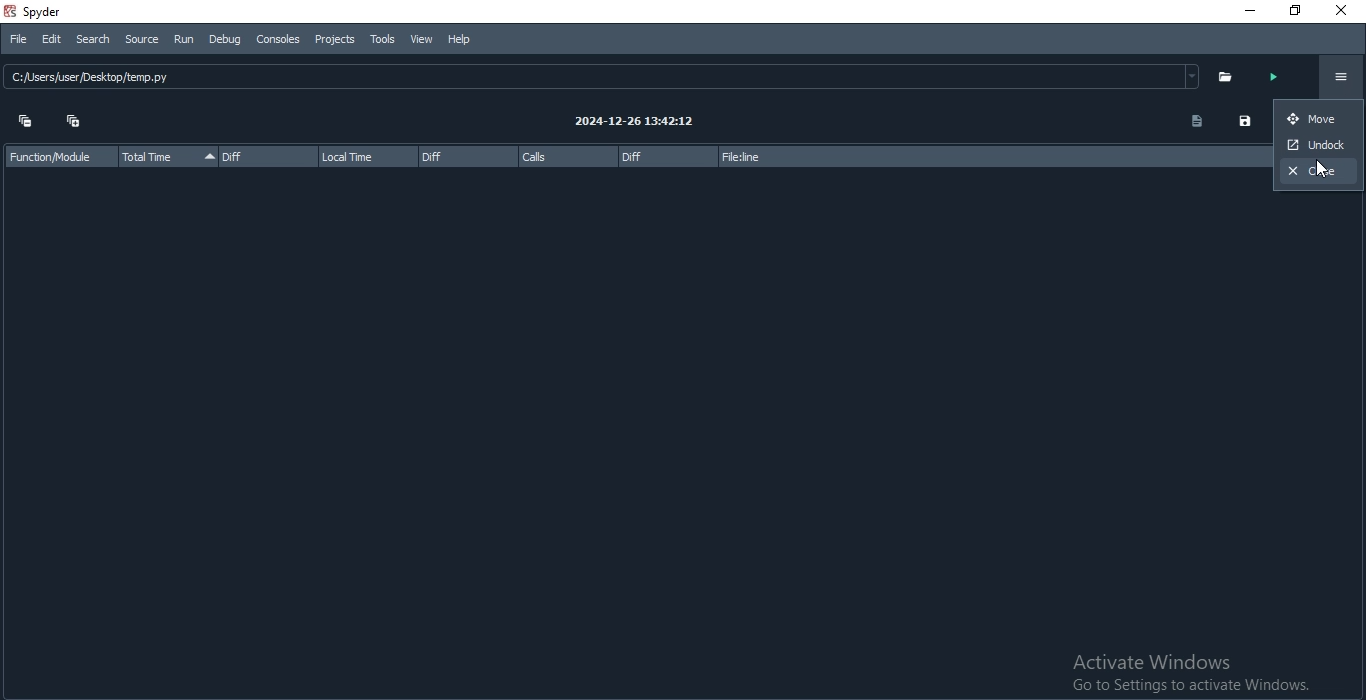  I want to click on Projects, so click(335, 40).